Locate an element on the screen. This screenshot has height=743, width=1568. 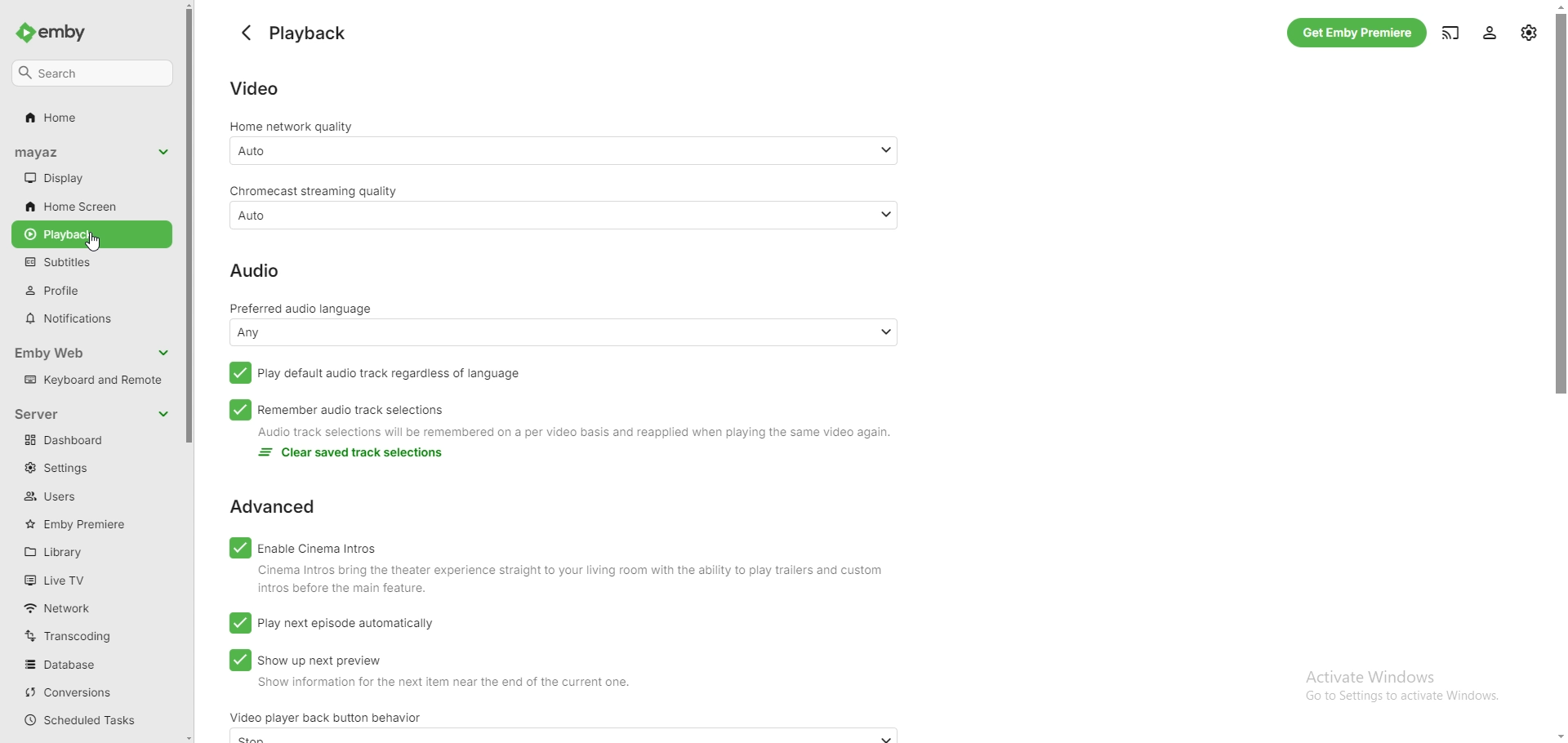
home is located at coordinates (88, 118).